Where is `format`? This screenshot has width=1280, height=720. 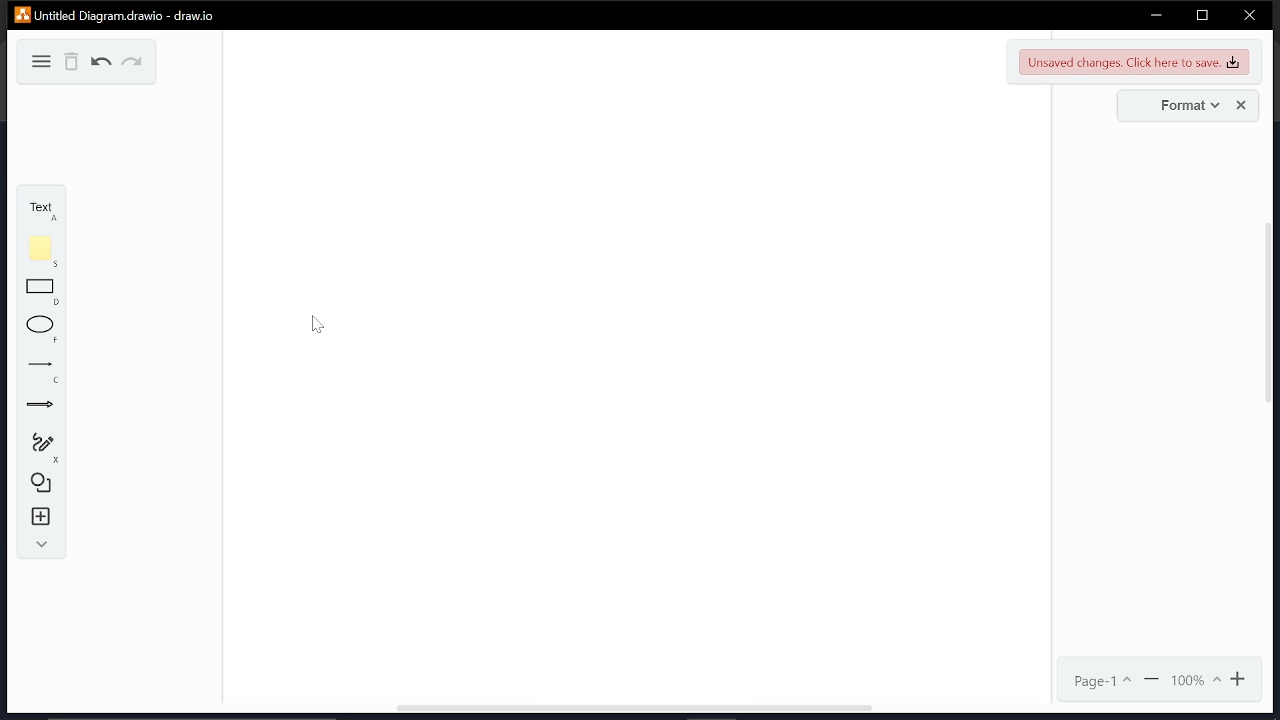
format is located at coordinates (1185, 106).